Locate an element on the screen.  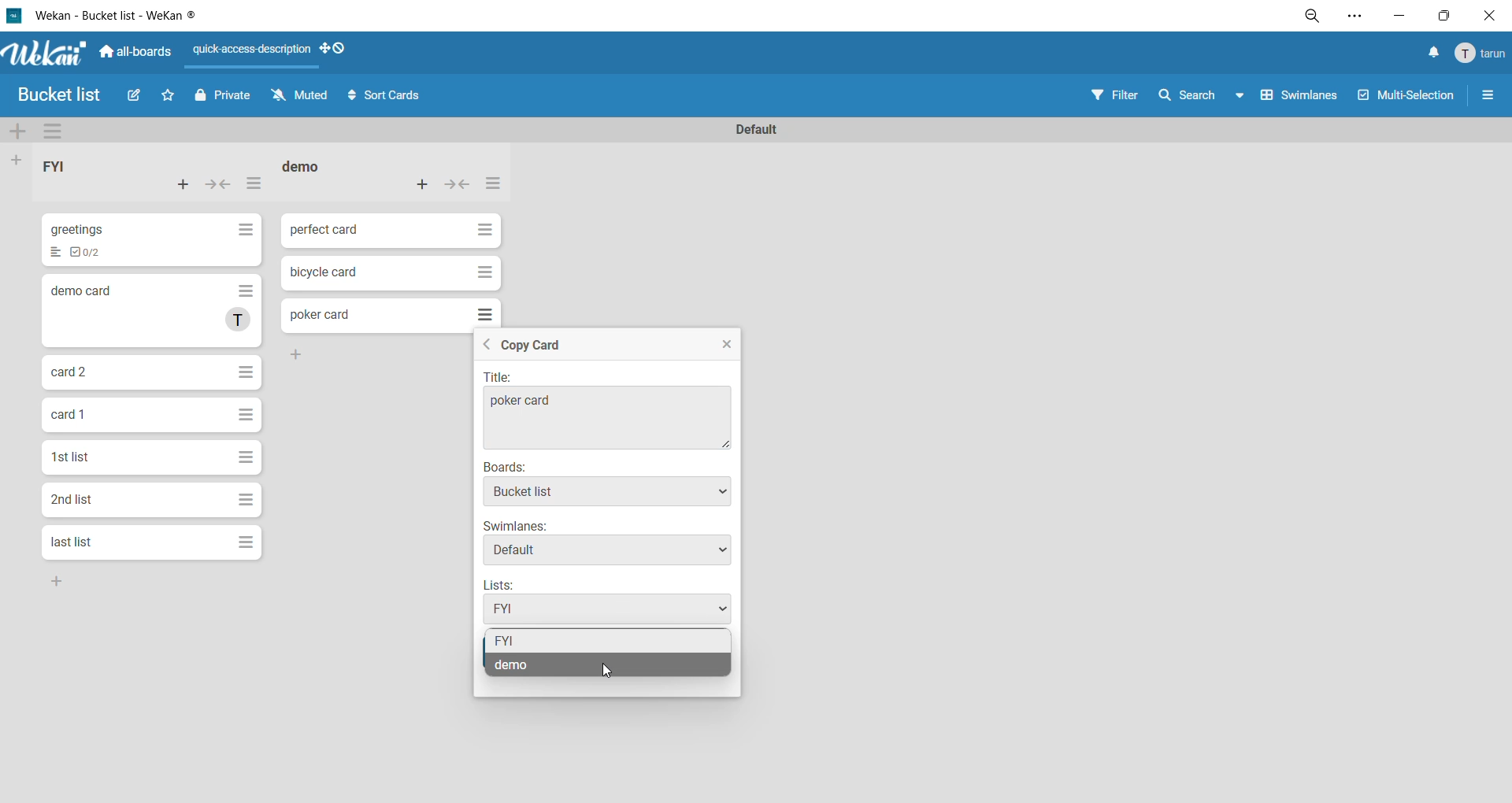
Boards: is located at coordinates (508, 467).